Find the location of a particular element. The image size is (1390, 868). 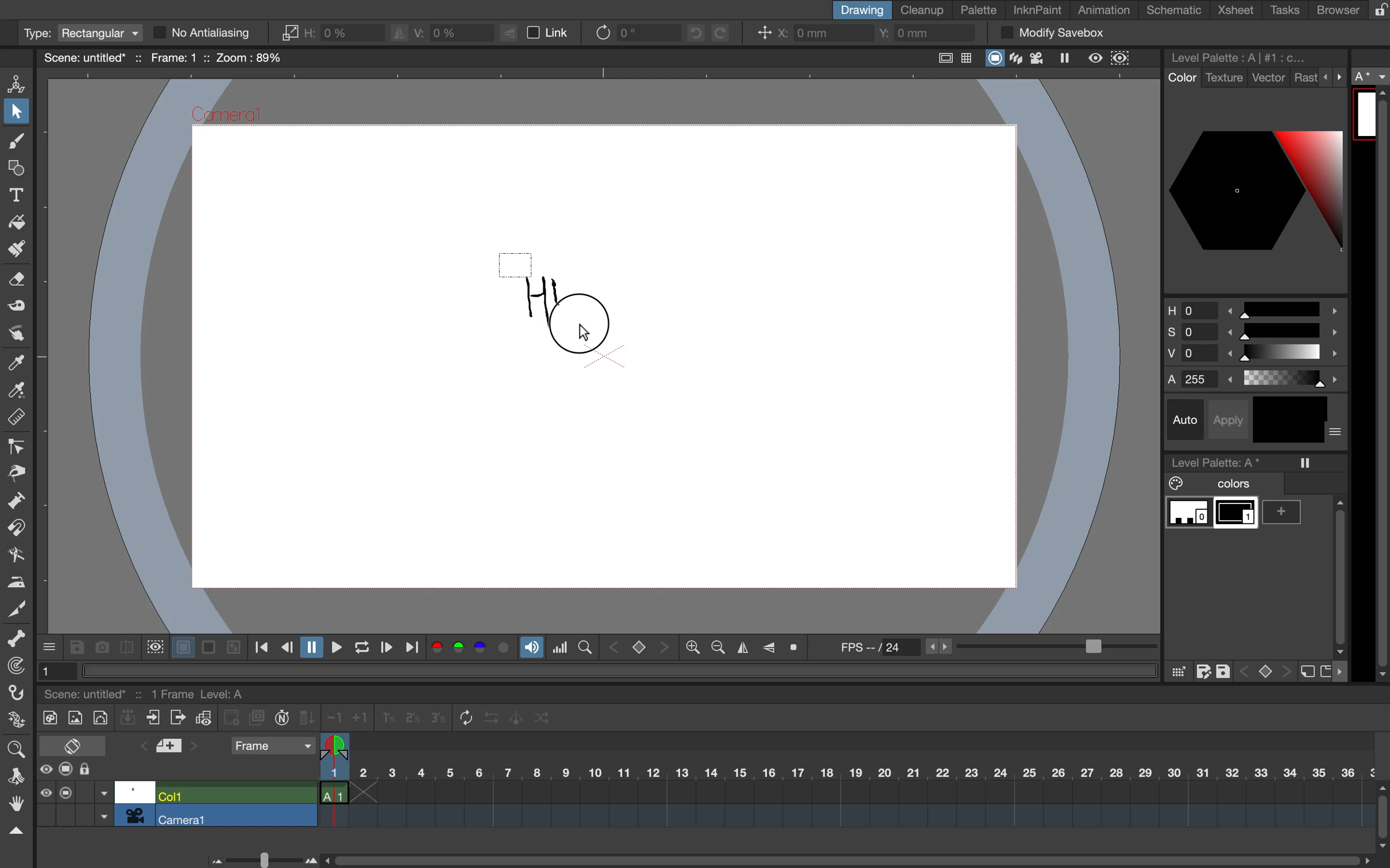

vertical scroll bar timeline bar is located at coordinates (1381, 815).